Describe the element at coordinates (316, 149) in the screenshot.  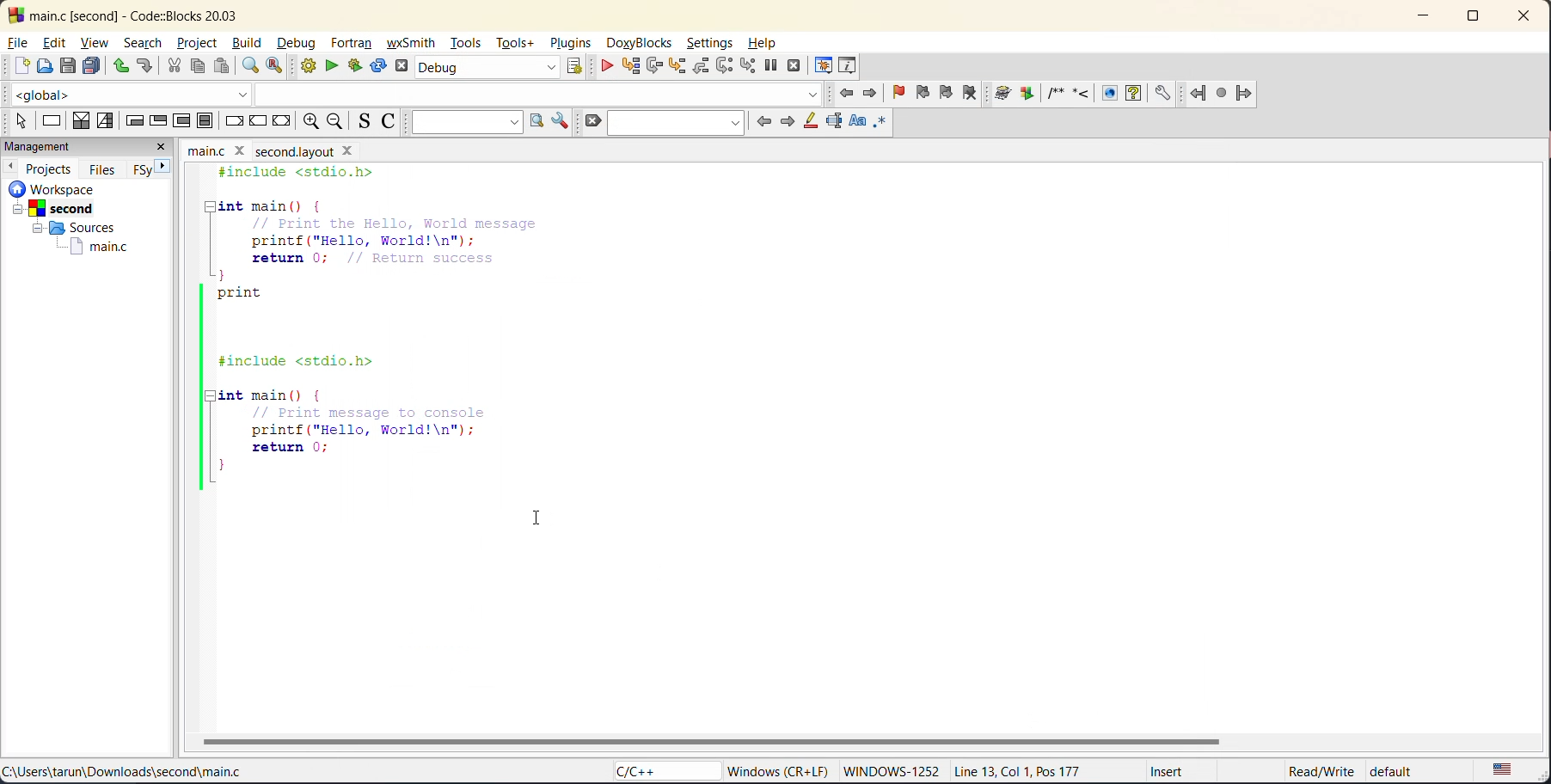
I see `Second layout` at that location.